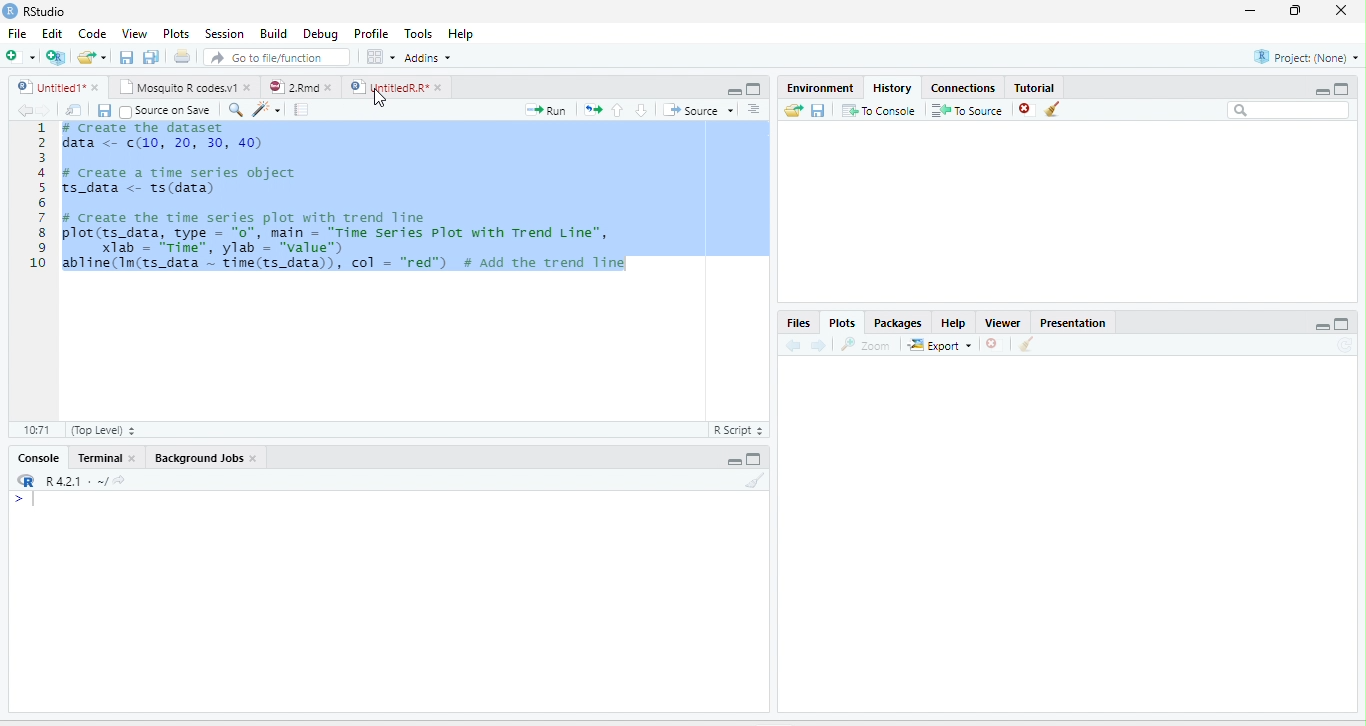 This screenshot has height=726, width=1366. I want to click on Go back to previous source location, so click(22, 110).